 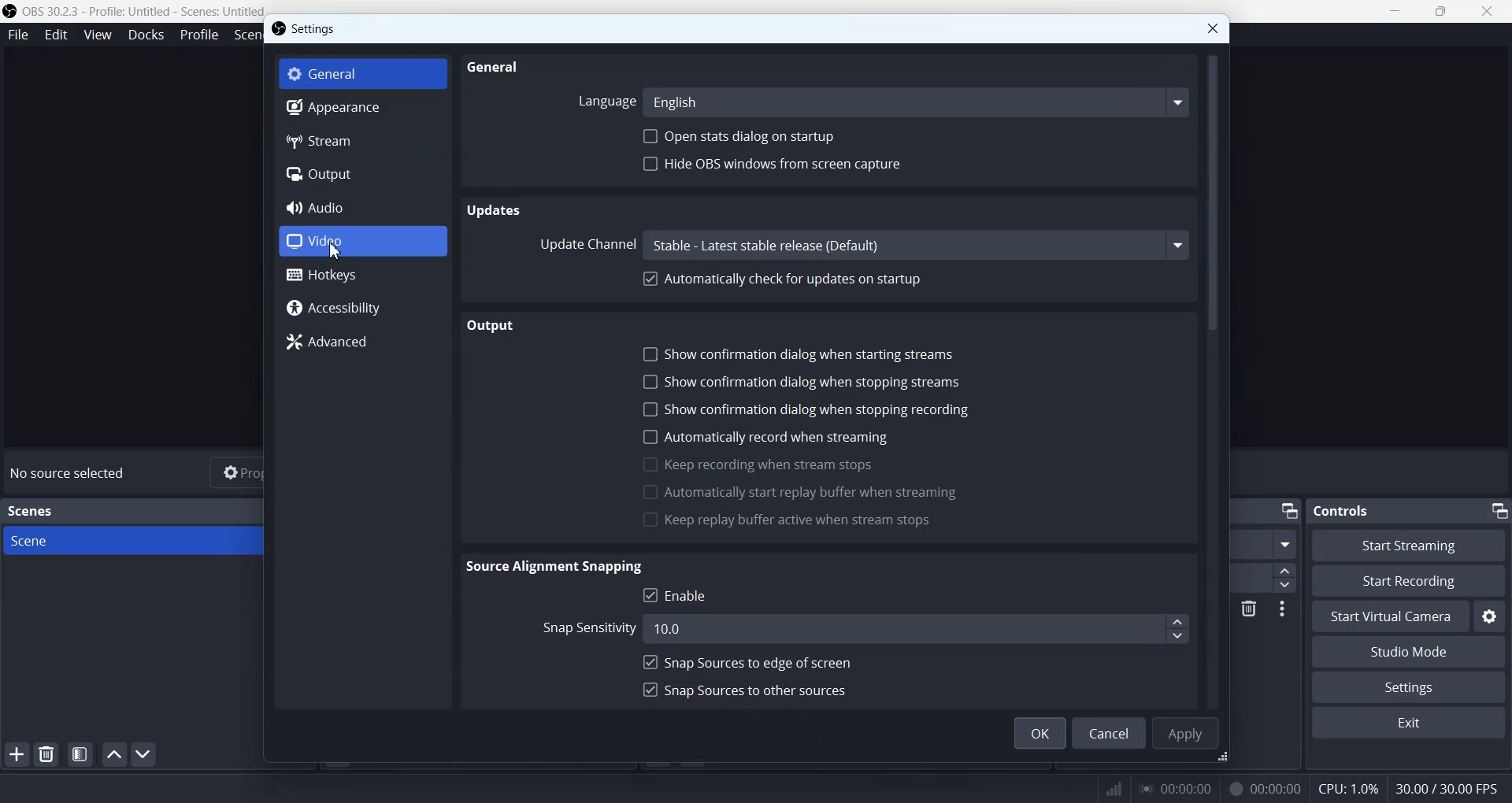 What do you see at coordinates (1188, 731) in the screenshot?
I see `Apply` at bounding box center [1188, 731].